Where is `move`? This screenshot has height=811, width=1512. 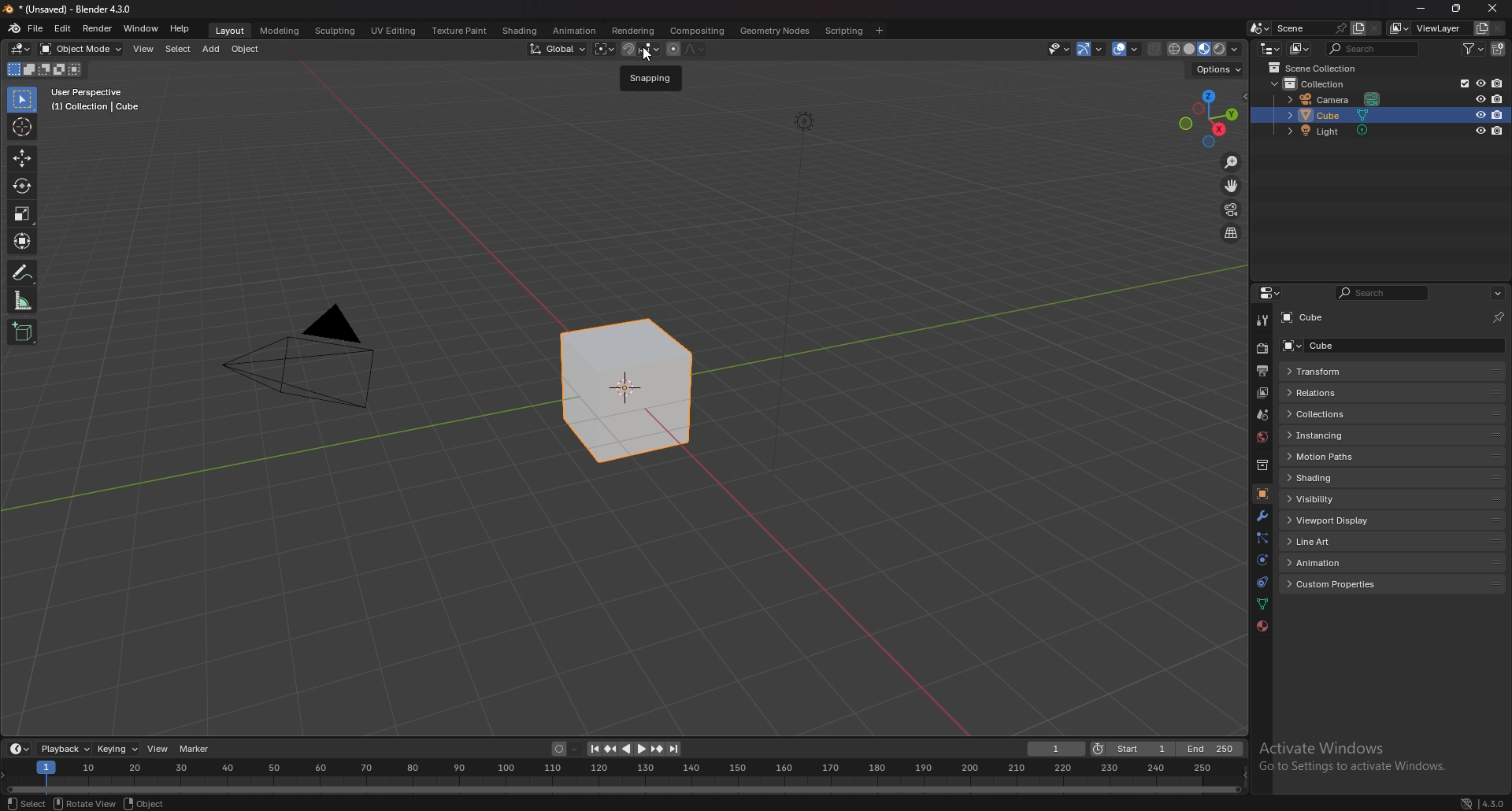
move is located at coordinates (1231, 186).